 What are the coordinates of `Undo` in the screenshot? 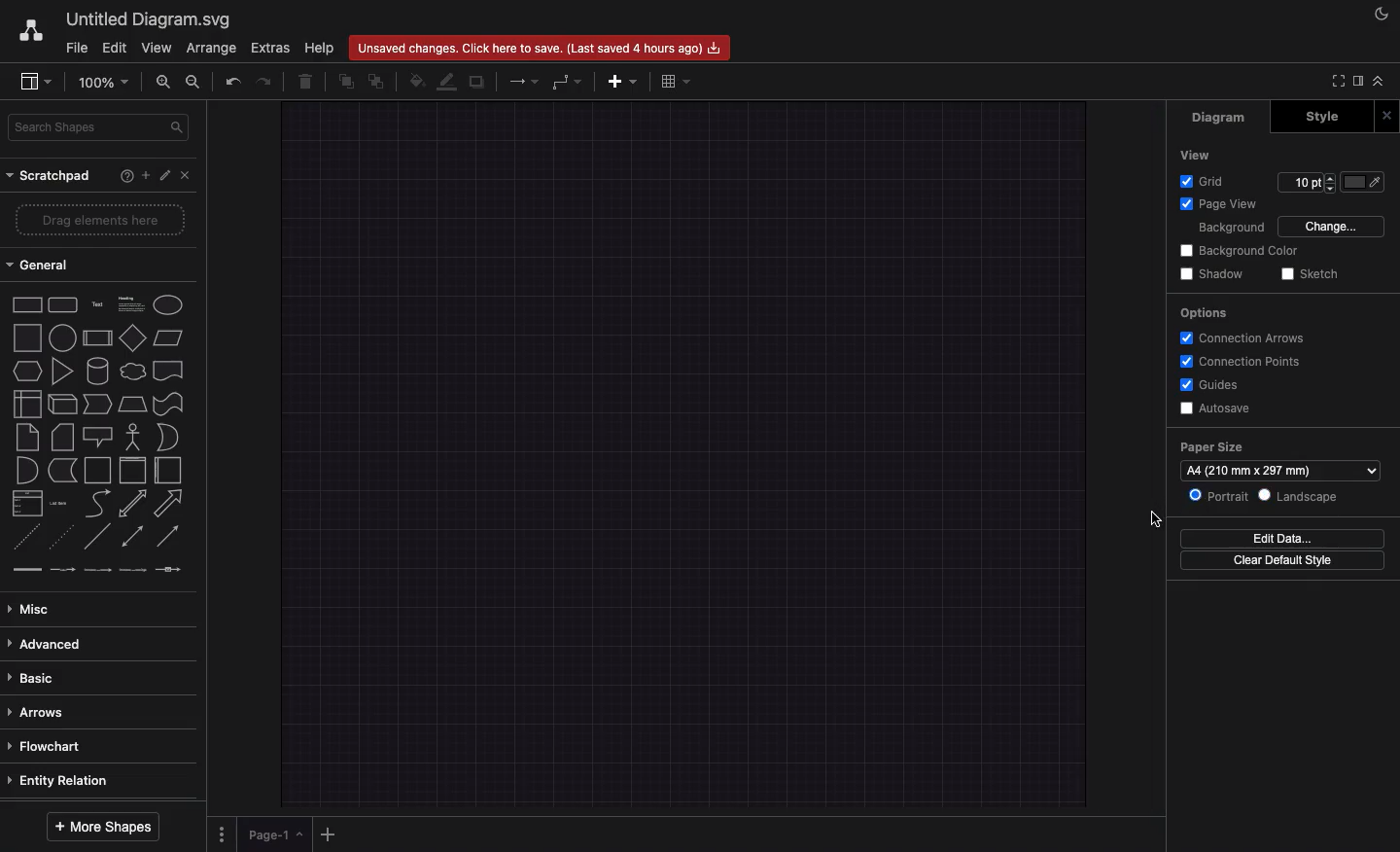 It's located at (235, 81).